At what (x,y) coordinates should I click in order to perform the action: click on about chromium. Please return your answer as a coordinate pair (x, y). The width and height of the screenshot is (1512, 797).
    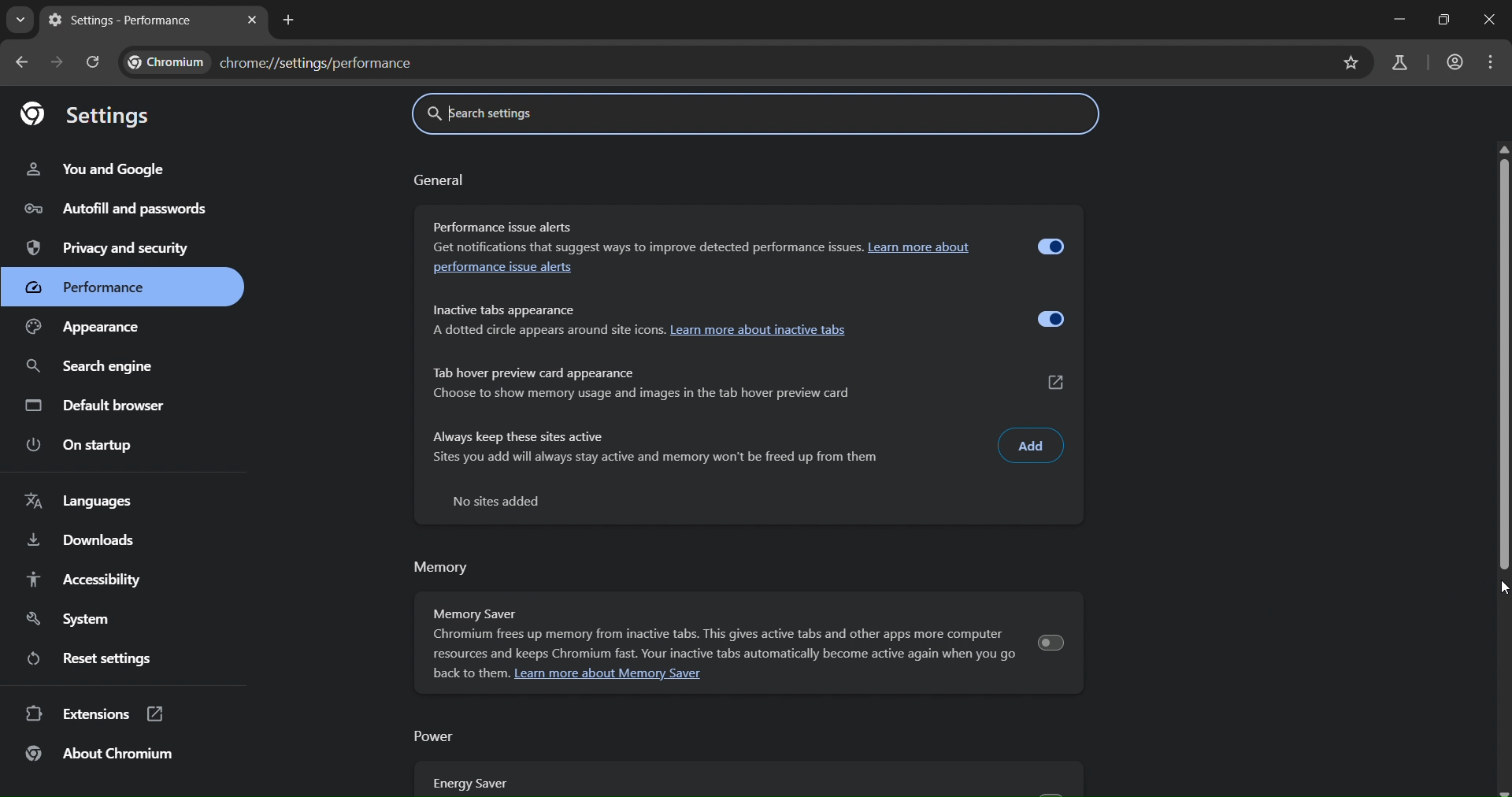
    Looking at the image, I should click on (119, 754).